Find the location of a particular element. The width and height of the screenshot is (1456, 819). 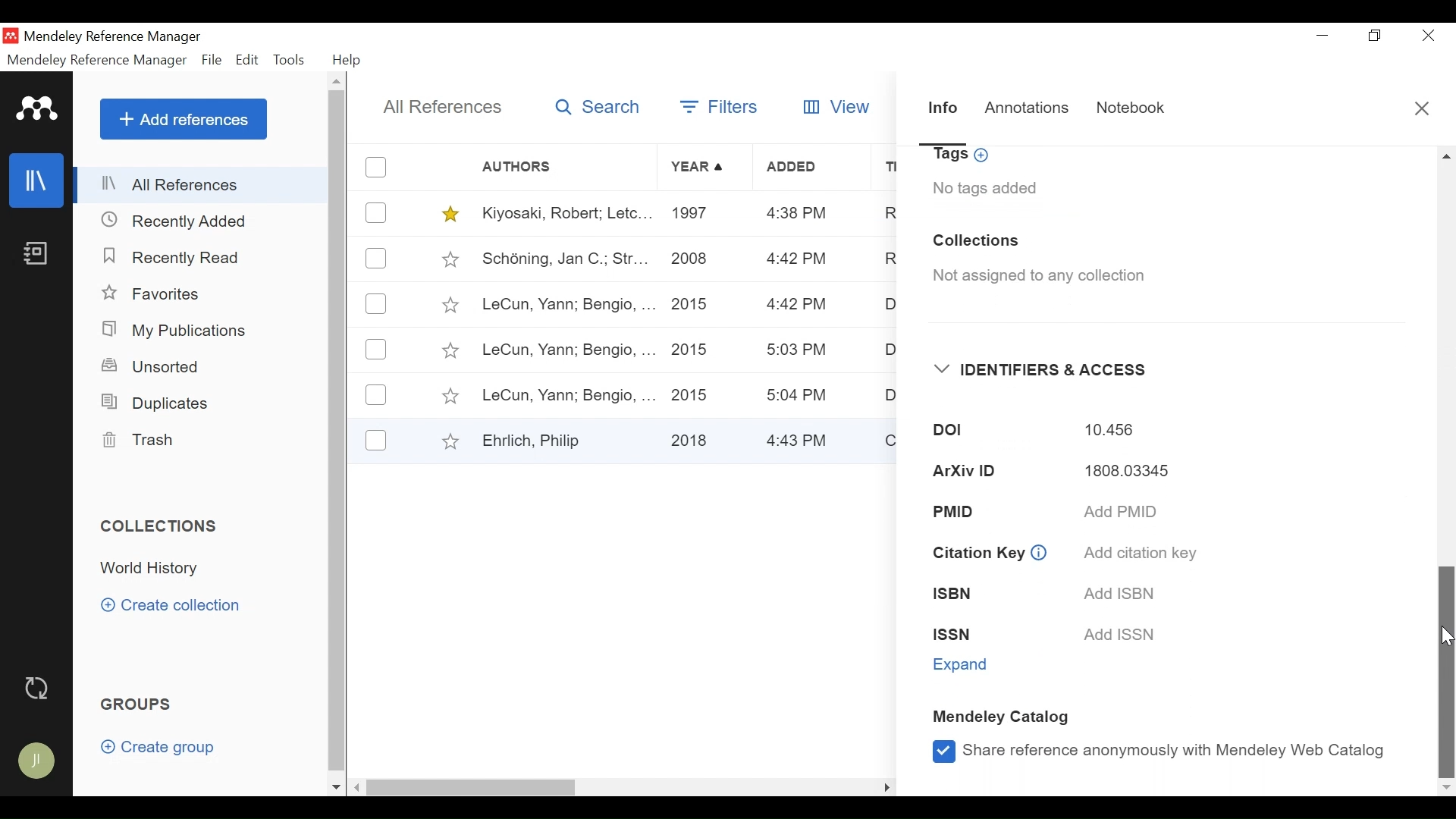

(un)select favorite is located at coordinates (447, 259).